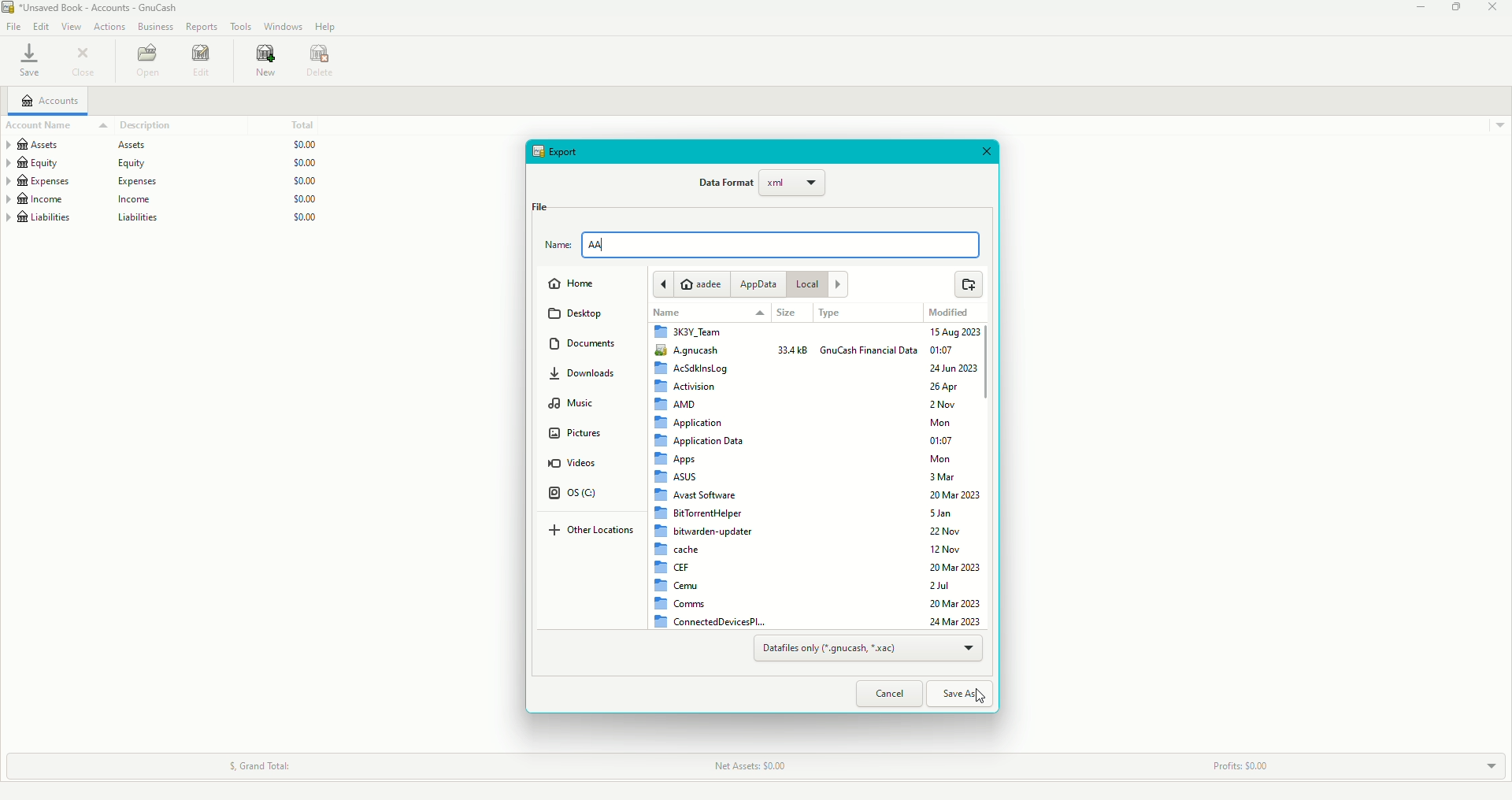 The image size is (1512, 800). What do you see at coordinates (821, 286) in the screenshot?
I see `Local` at bounding box center [821, 286].